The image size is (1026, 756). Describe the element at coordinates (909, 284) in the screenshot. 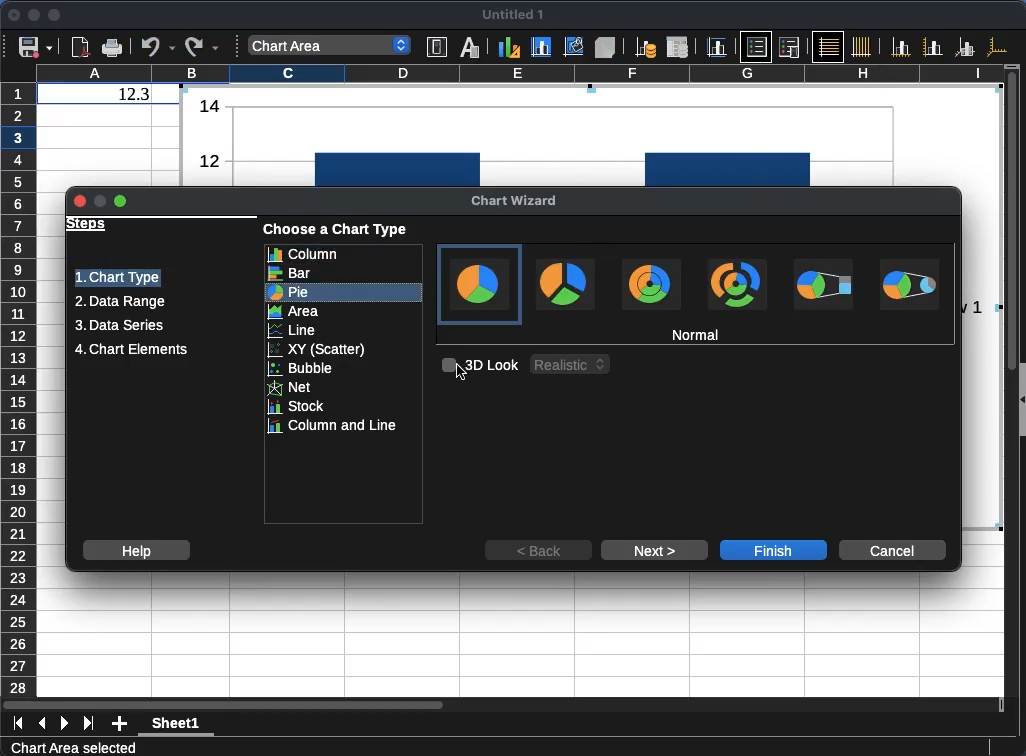

I see `Pie-of-pie chart` at that location.